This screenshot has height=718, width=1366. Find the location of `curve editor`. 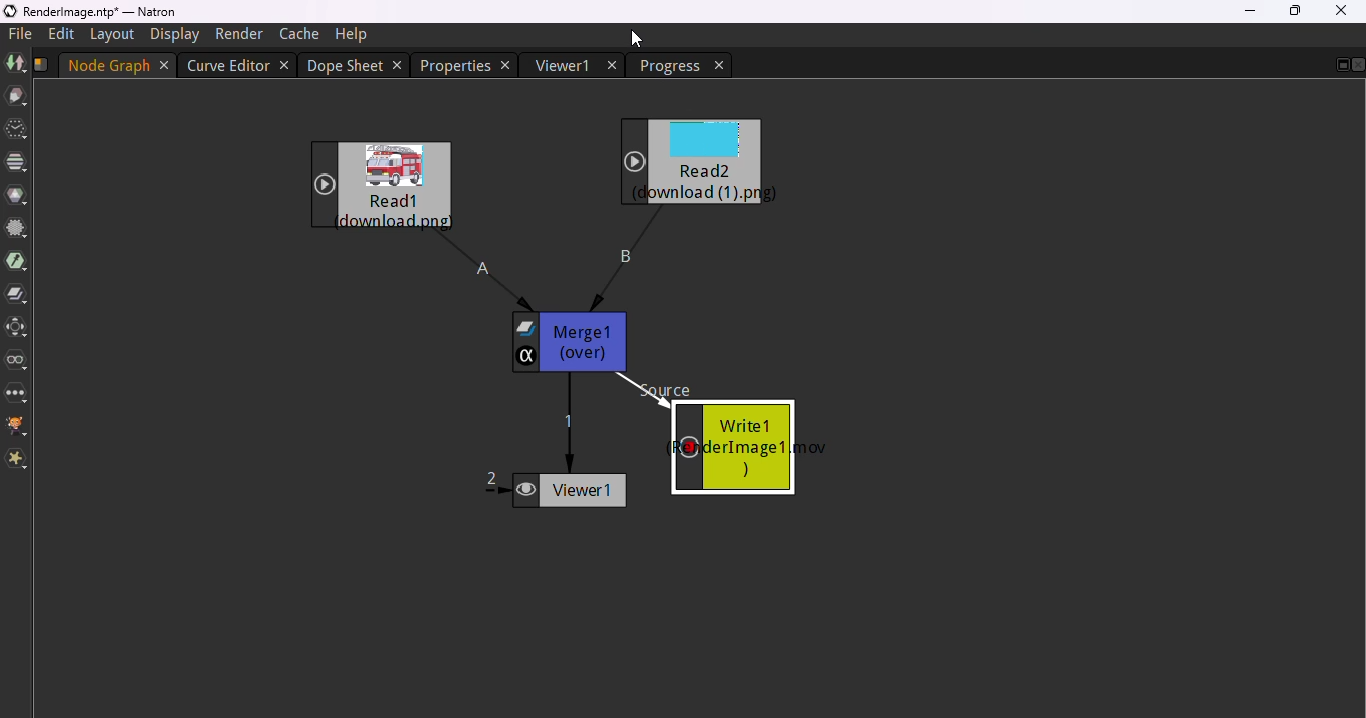

curve editor is located at coordinates (227, 64).